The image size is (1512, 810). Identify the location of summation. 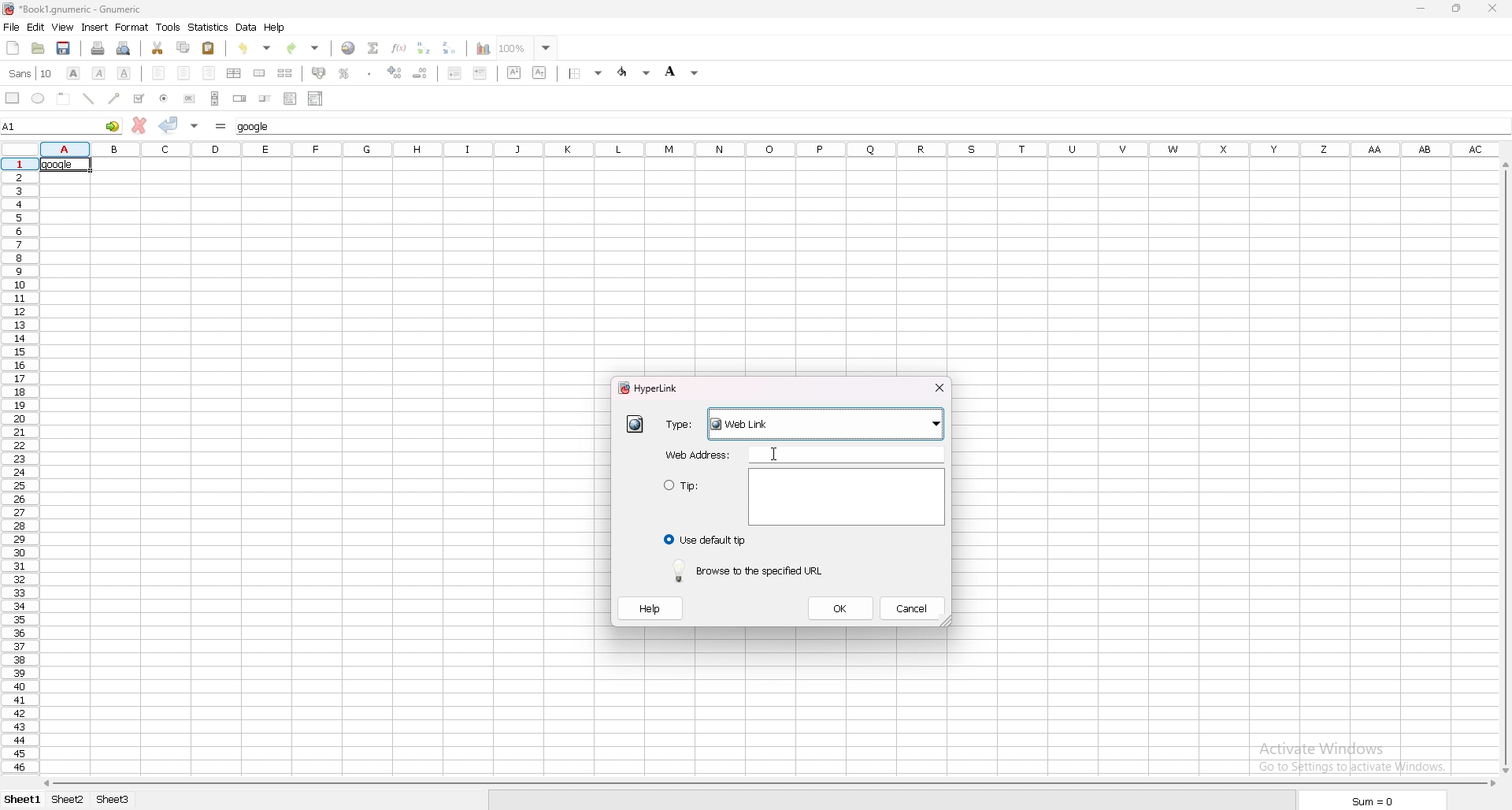
(373, 49).